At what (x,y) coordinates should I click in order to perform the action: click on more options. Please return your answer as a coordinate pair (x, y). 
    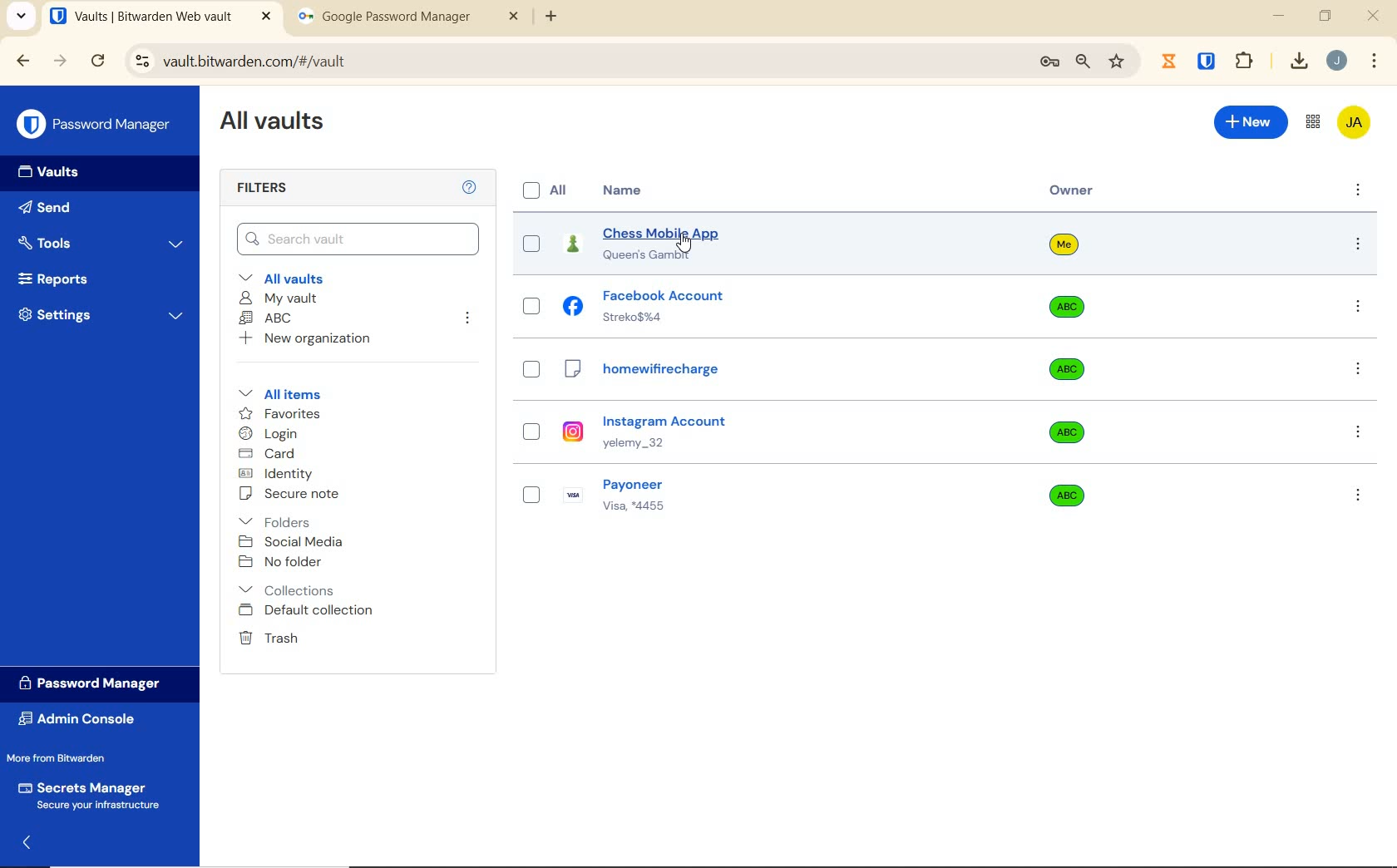
    Looking at the image, I should click on (1358, 494).